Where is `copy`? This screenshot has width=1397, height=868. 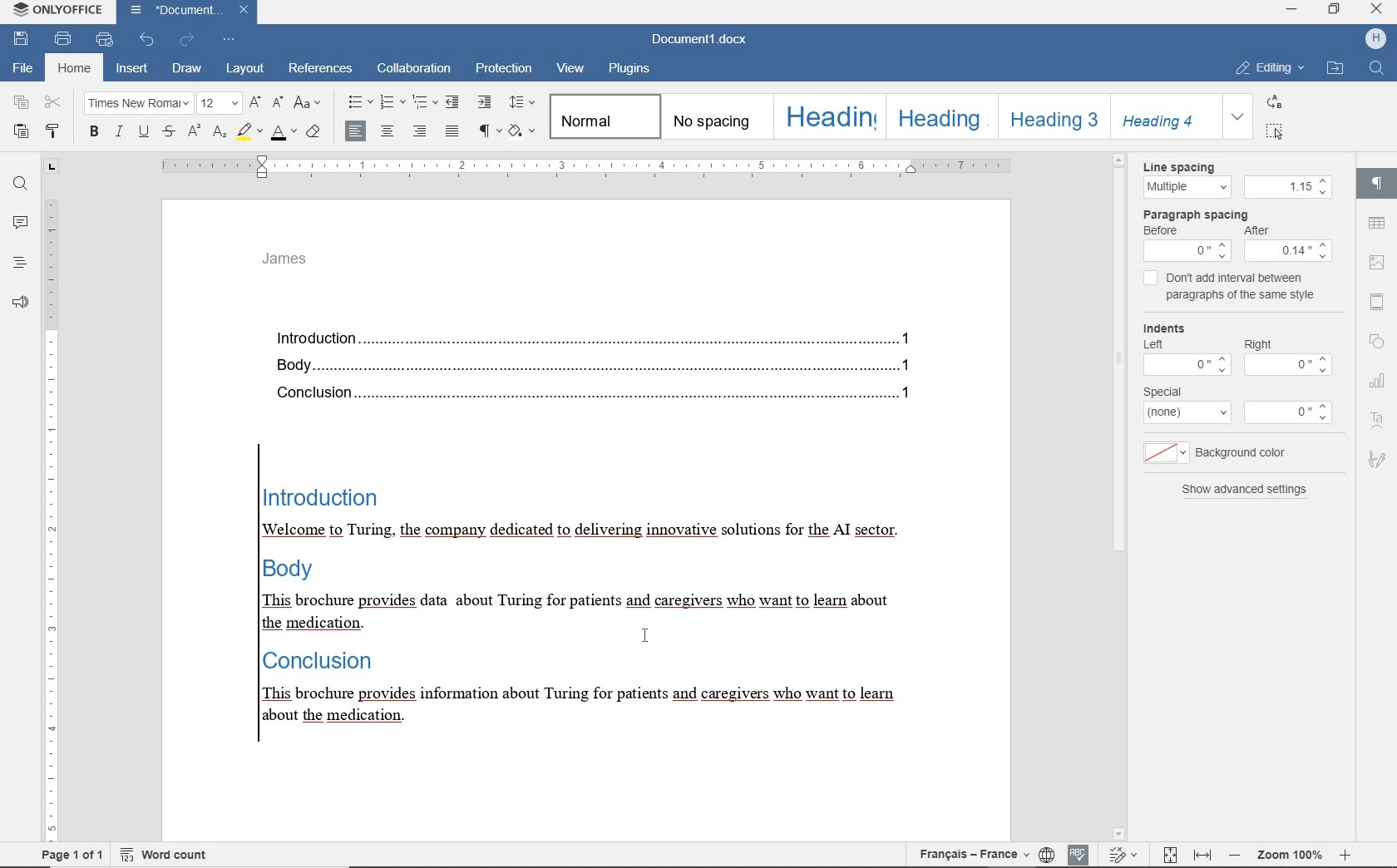 copy is located at coordinates (23, 104).